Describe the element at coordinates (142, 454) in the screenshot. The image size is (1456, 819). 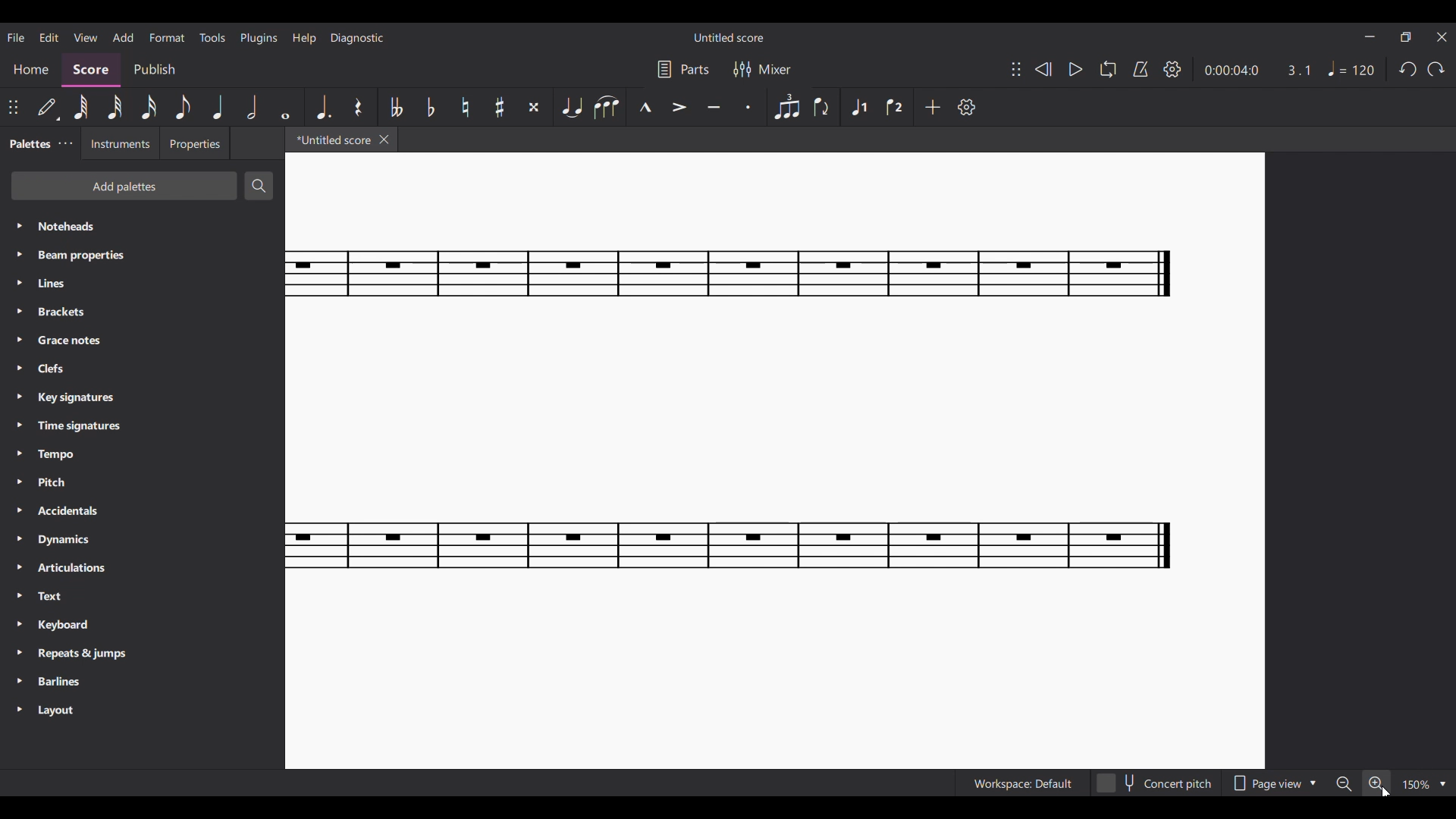
I see `Tempo` at that location.